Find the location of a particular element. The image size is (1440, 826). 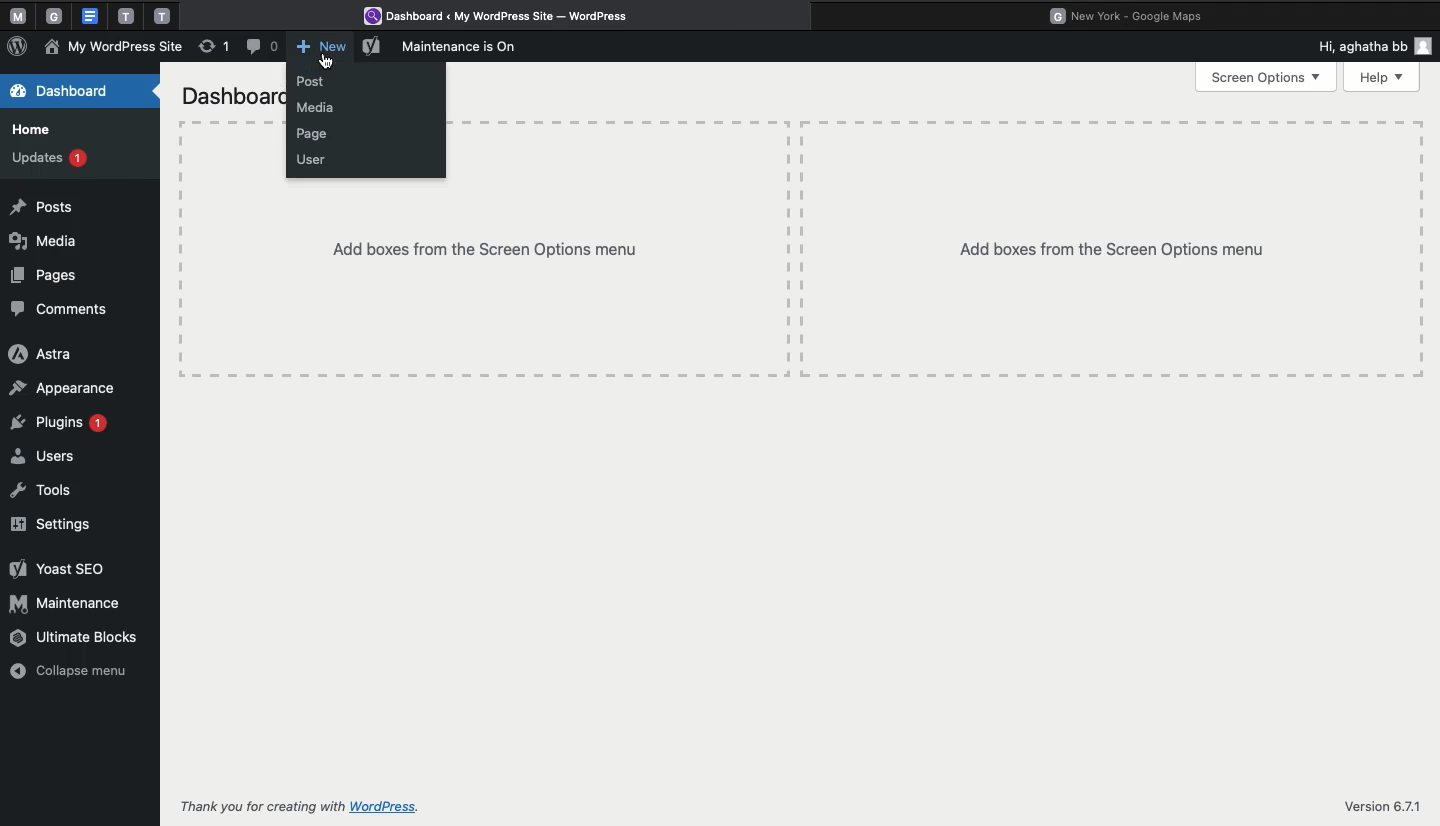

Thank you for creating with WordPress is located at coordinates (299, 806).